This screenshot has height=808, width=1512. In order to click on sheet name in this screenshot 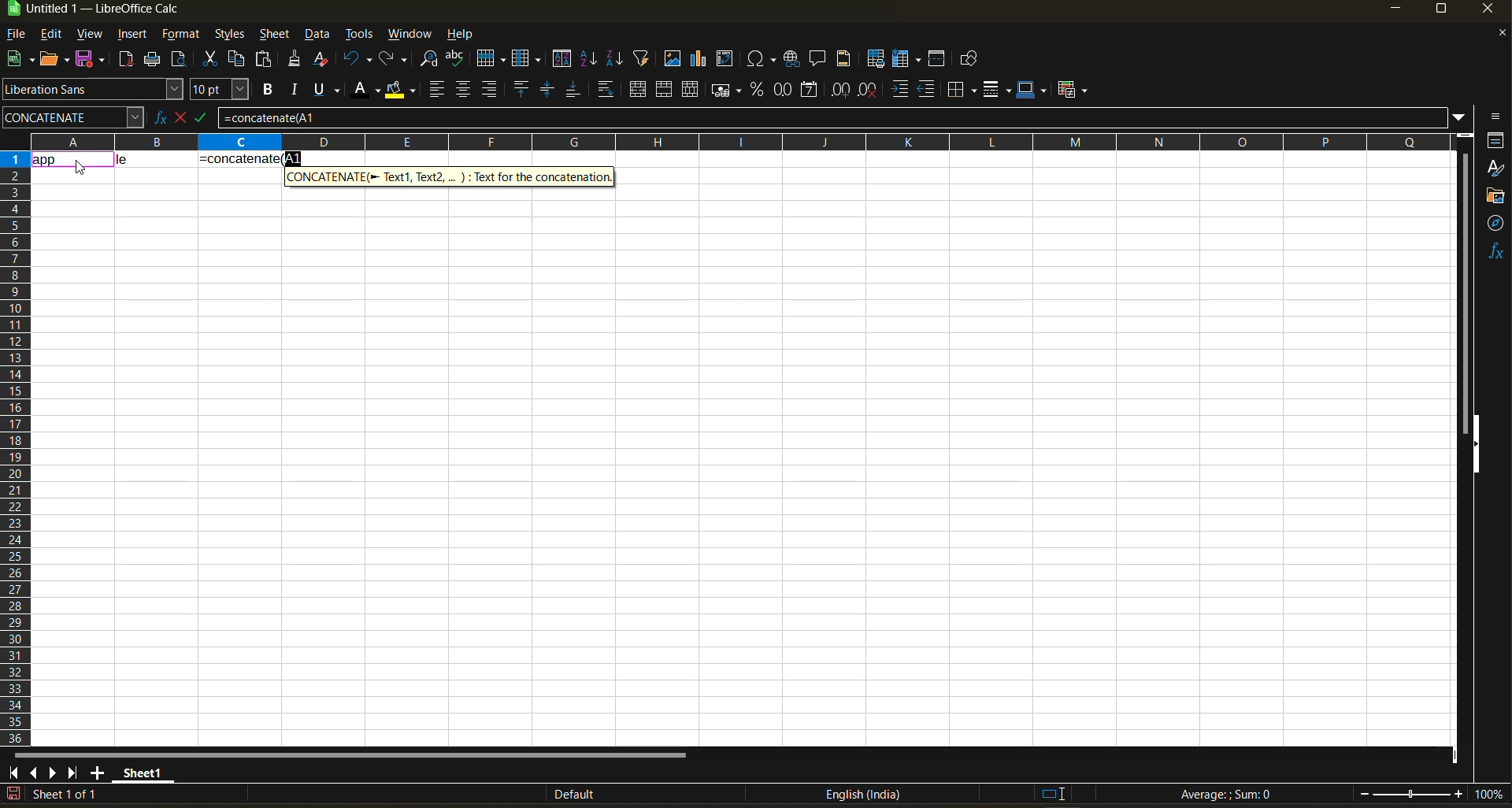, I will do `click(140, 770)`.